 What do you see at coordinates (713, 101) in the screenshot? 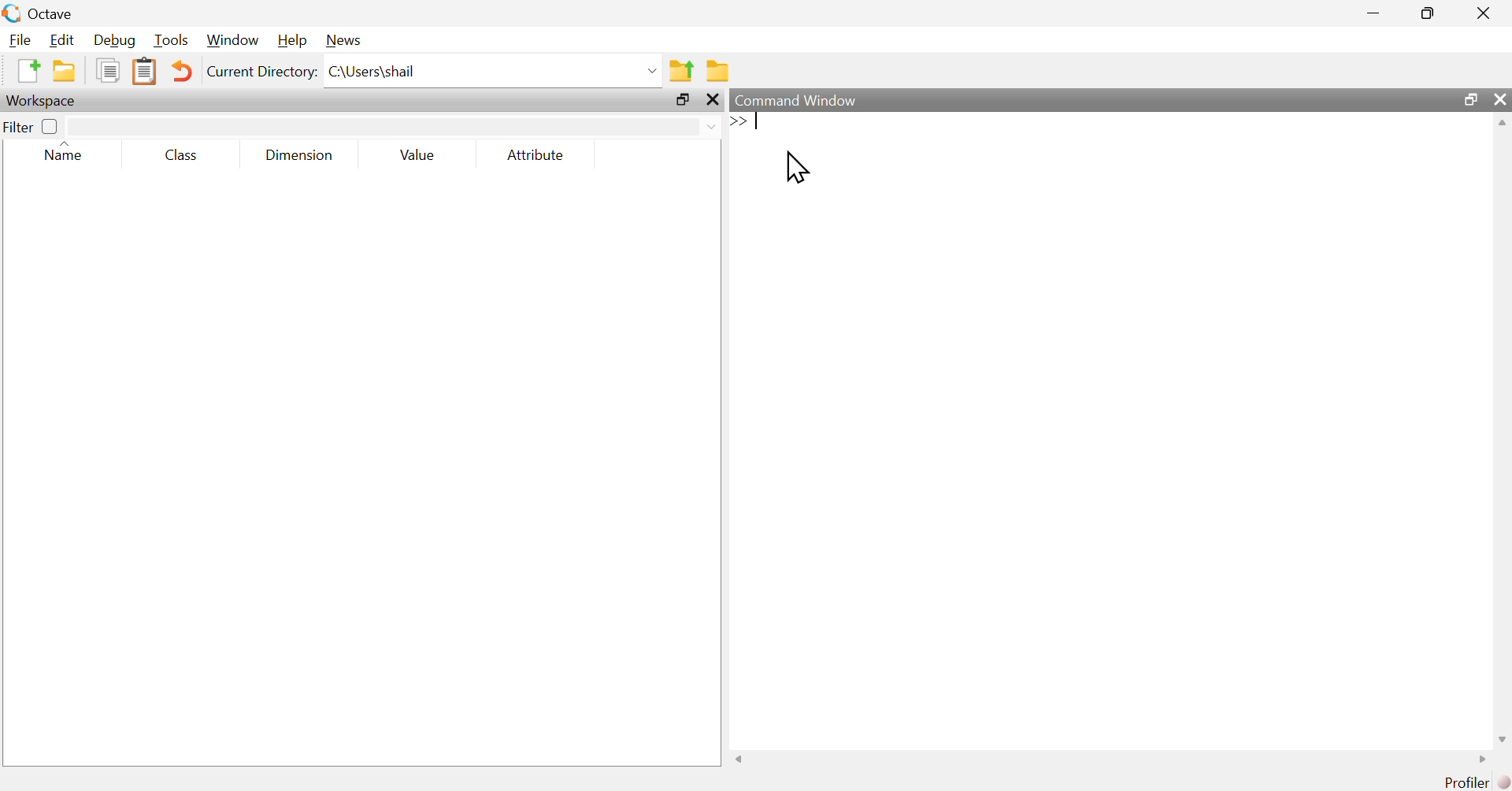
I see `close` at bounding box center [713, 101].